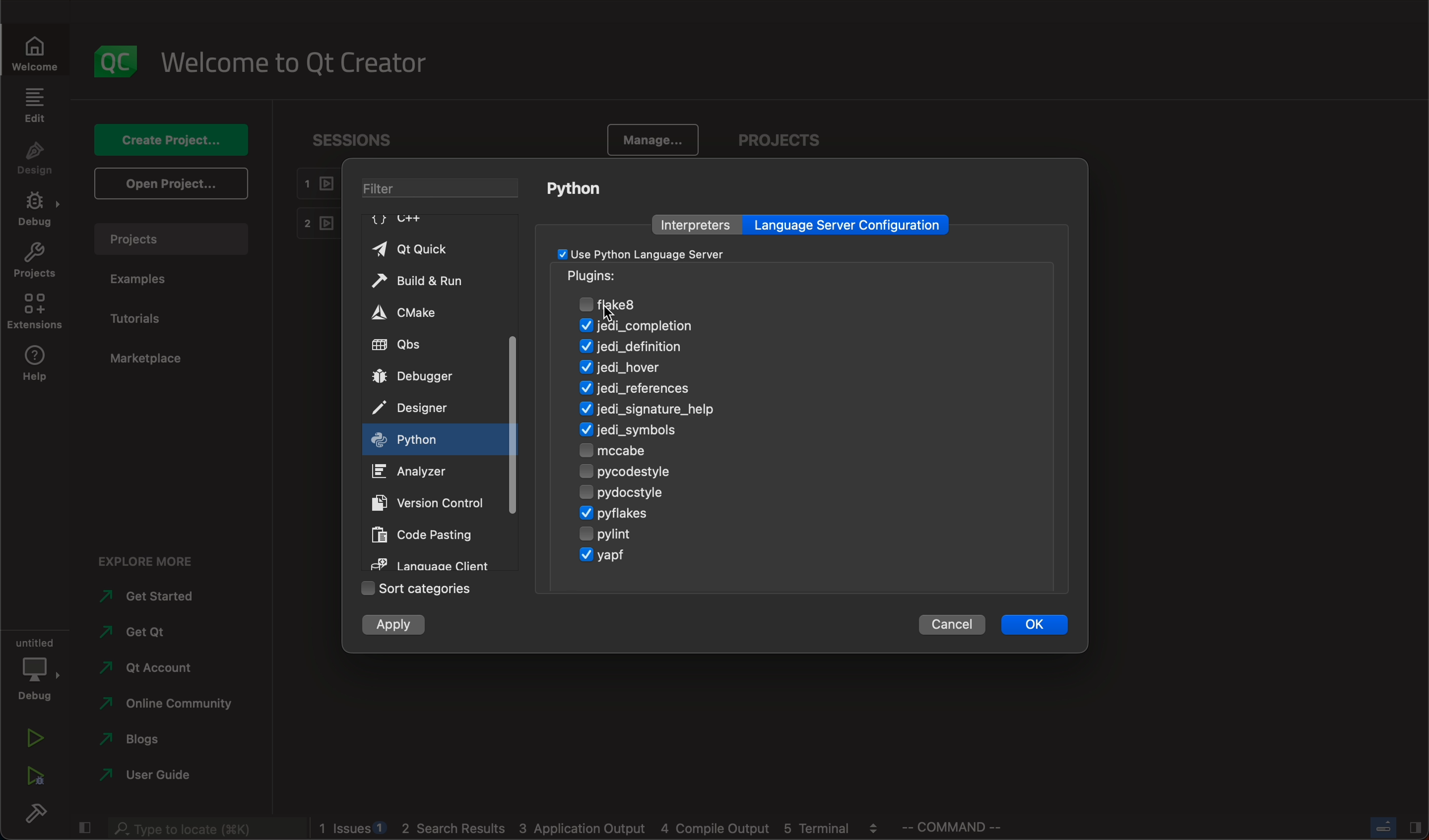  Describe the element at coordinates (618, 308) in the screenshot. I see `cursor` at that location.